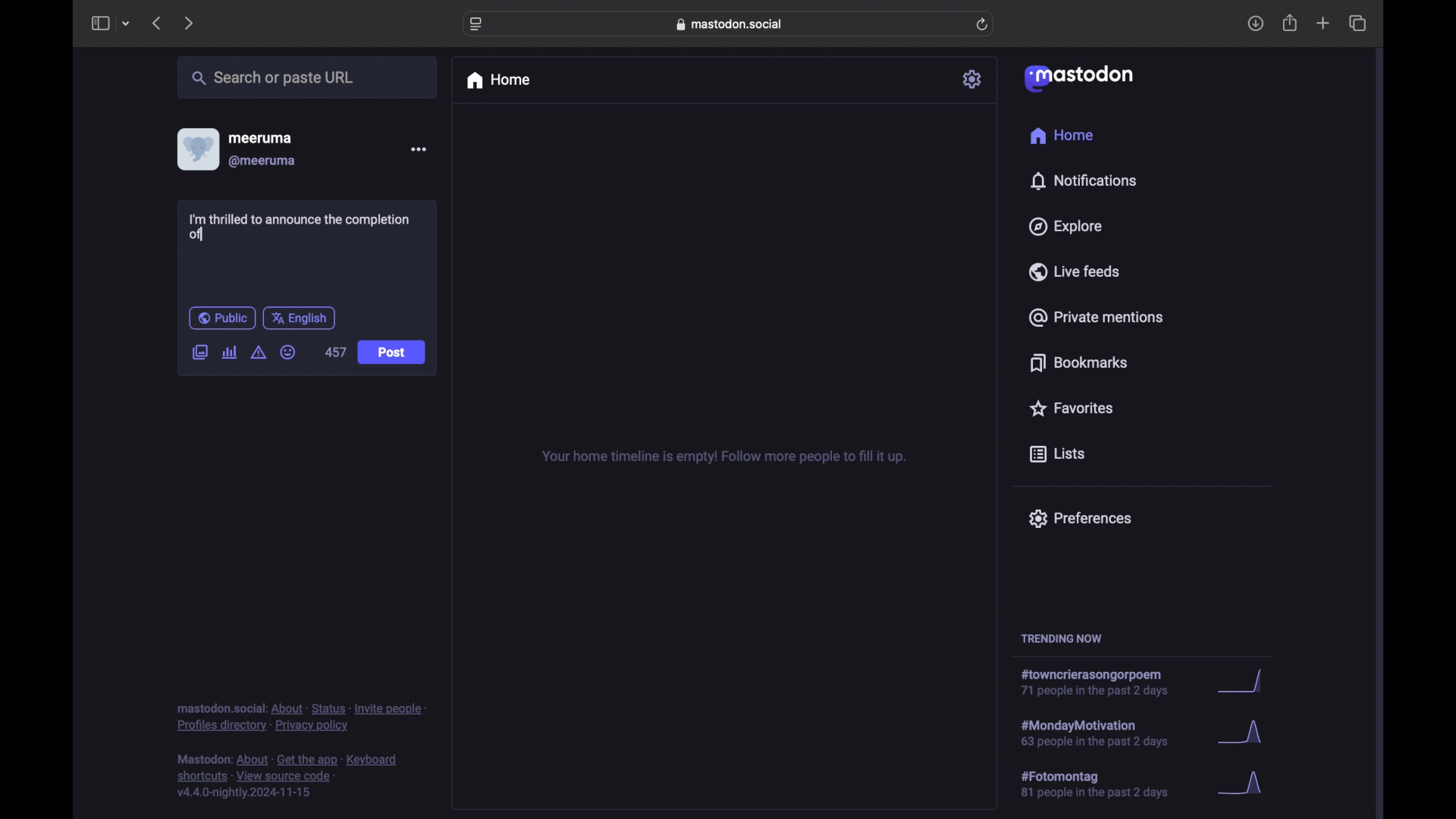 The image size is (1456, 819). Describe the element at coordinates (730, 24) in the screenshot. I see `web address` at that location.